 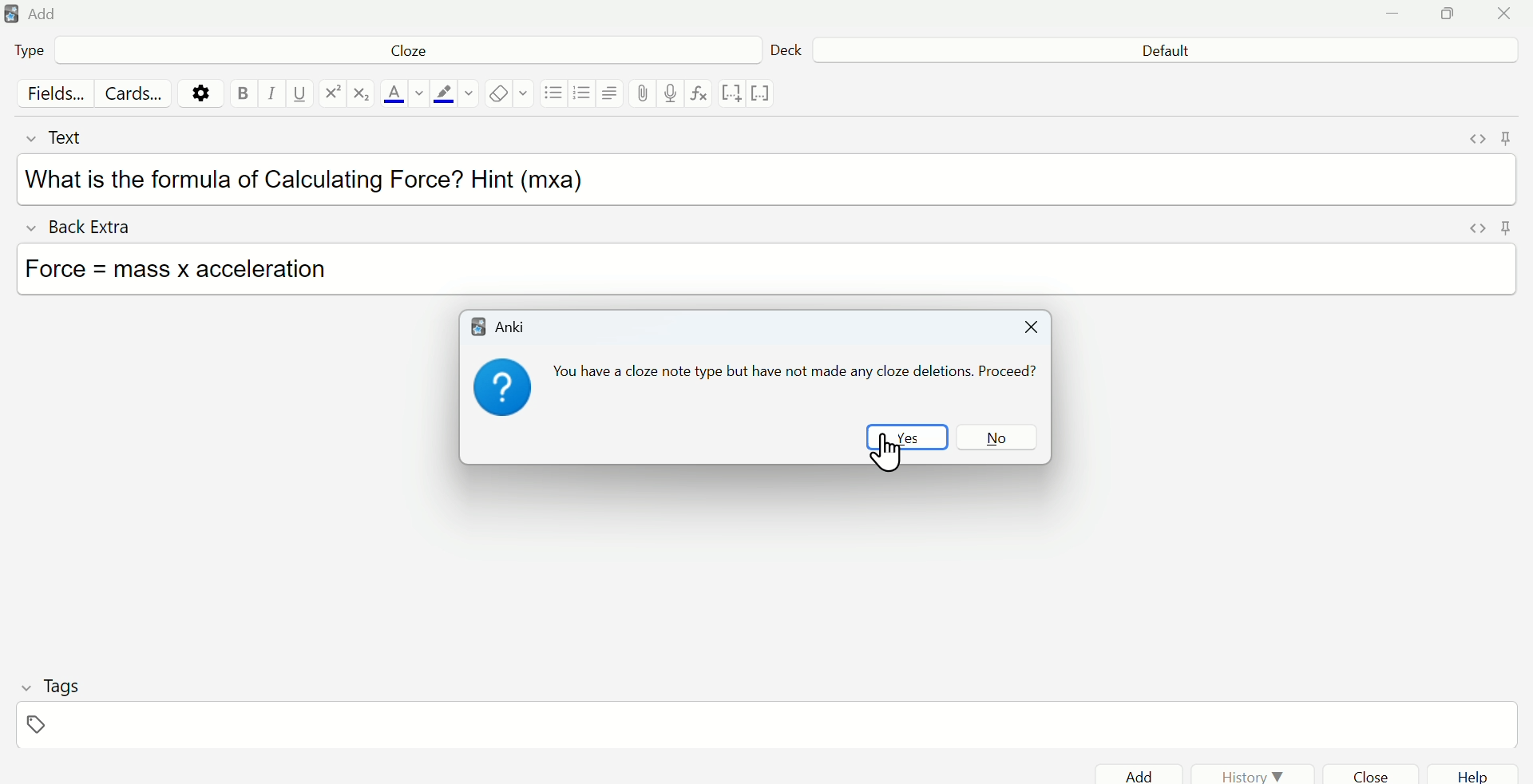 What do you see at coordinates (1449, 18) in the screenshot?
I see `Maximize` at bounding box center [1449, 18].